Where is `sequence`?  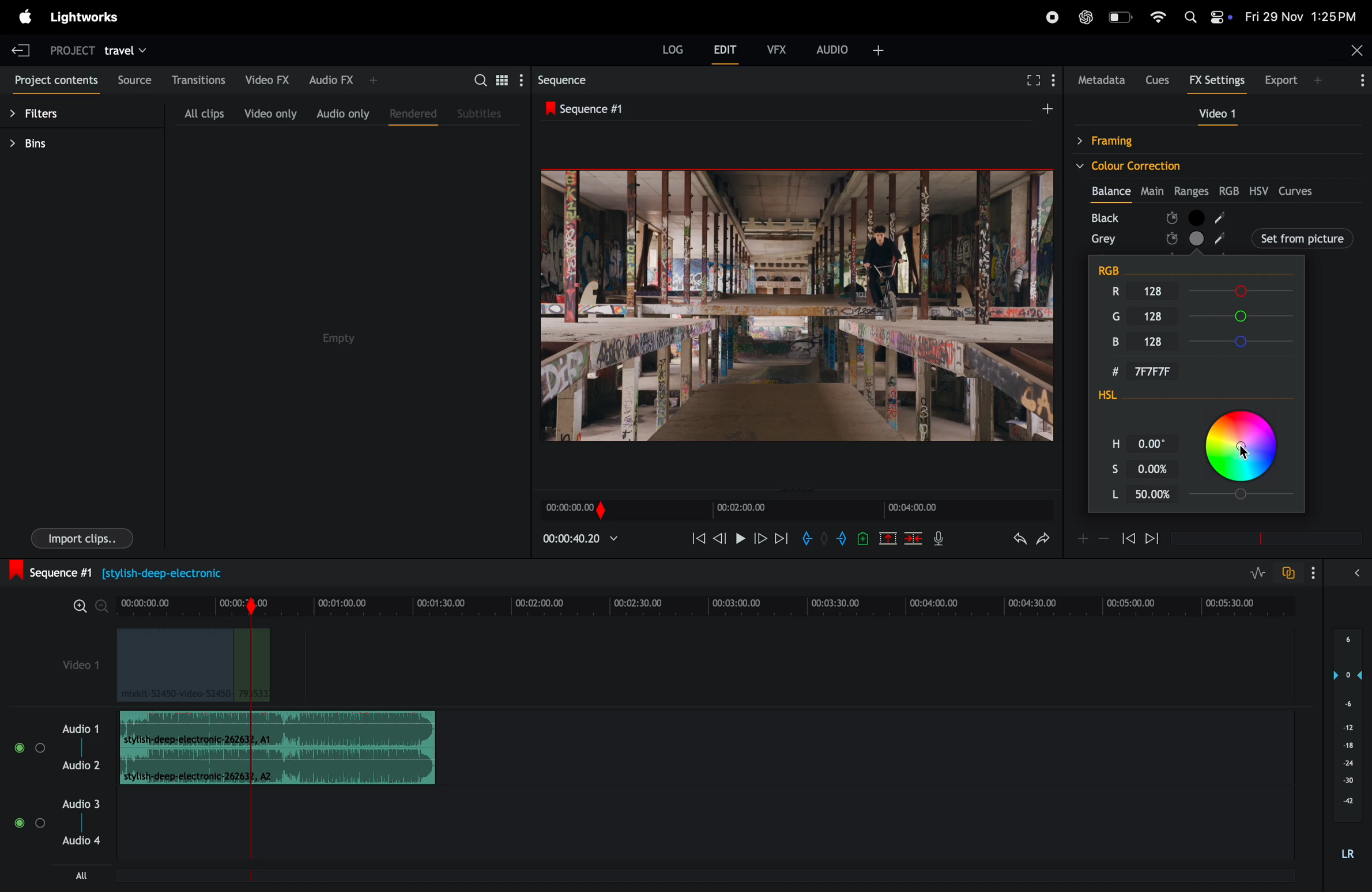 sequence is located at coordinates (580, 80).